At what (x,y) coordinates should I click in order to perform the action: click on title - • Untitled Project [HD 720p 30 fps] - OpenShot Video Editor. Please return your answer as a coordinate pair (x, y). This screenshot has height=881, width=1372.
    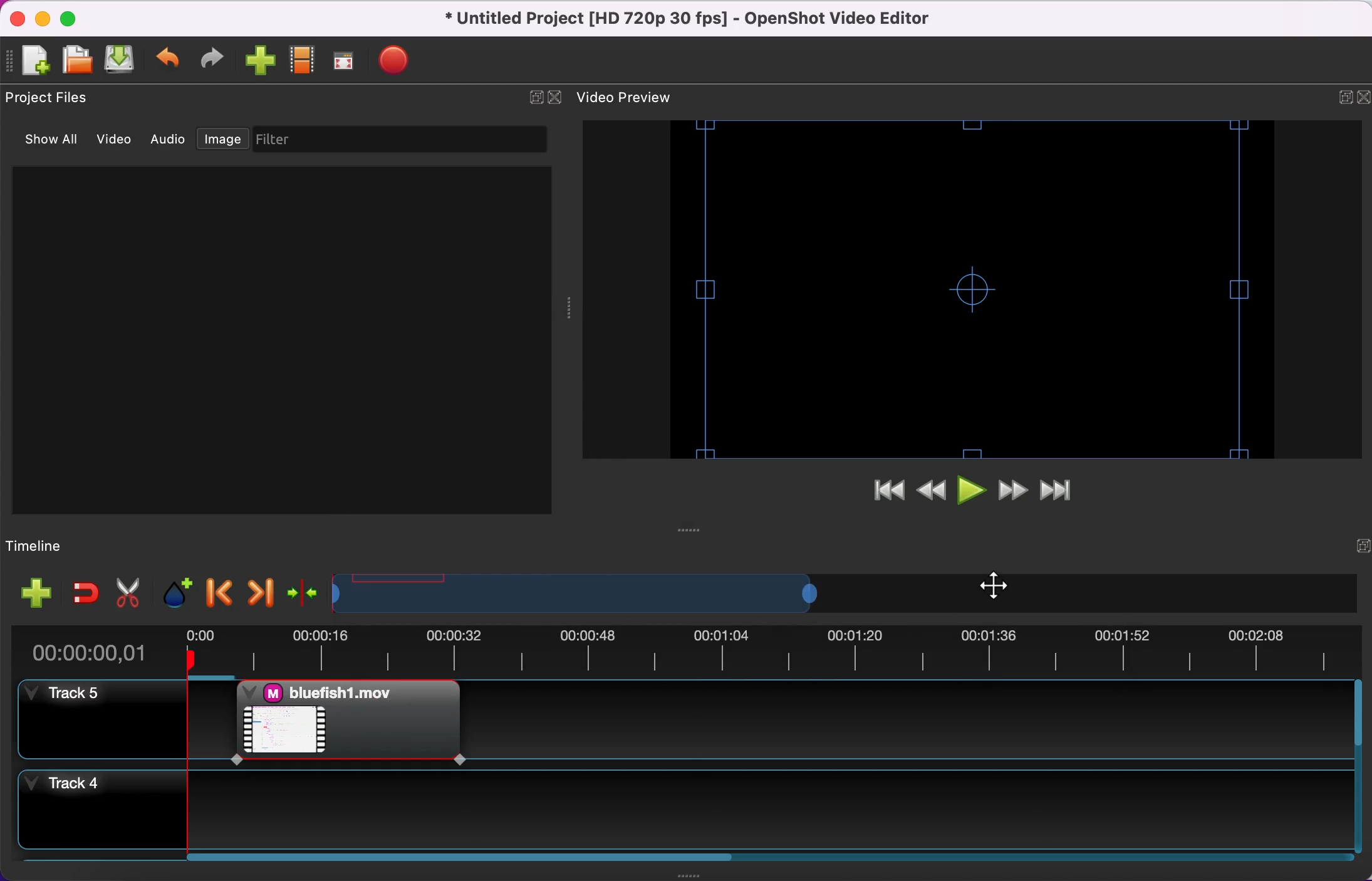
    Looking at the image, I should click on (725, 20).